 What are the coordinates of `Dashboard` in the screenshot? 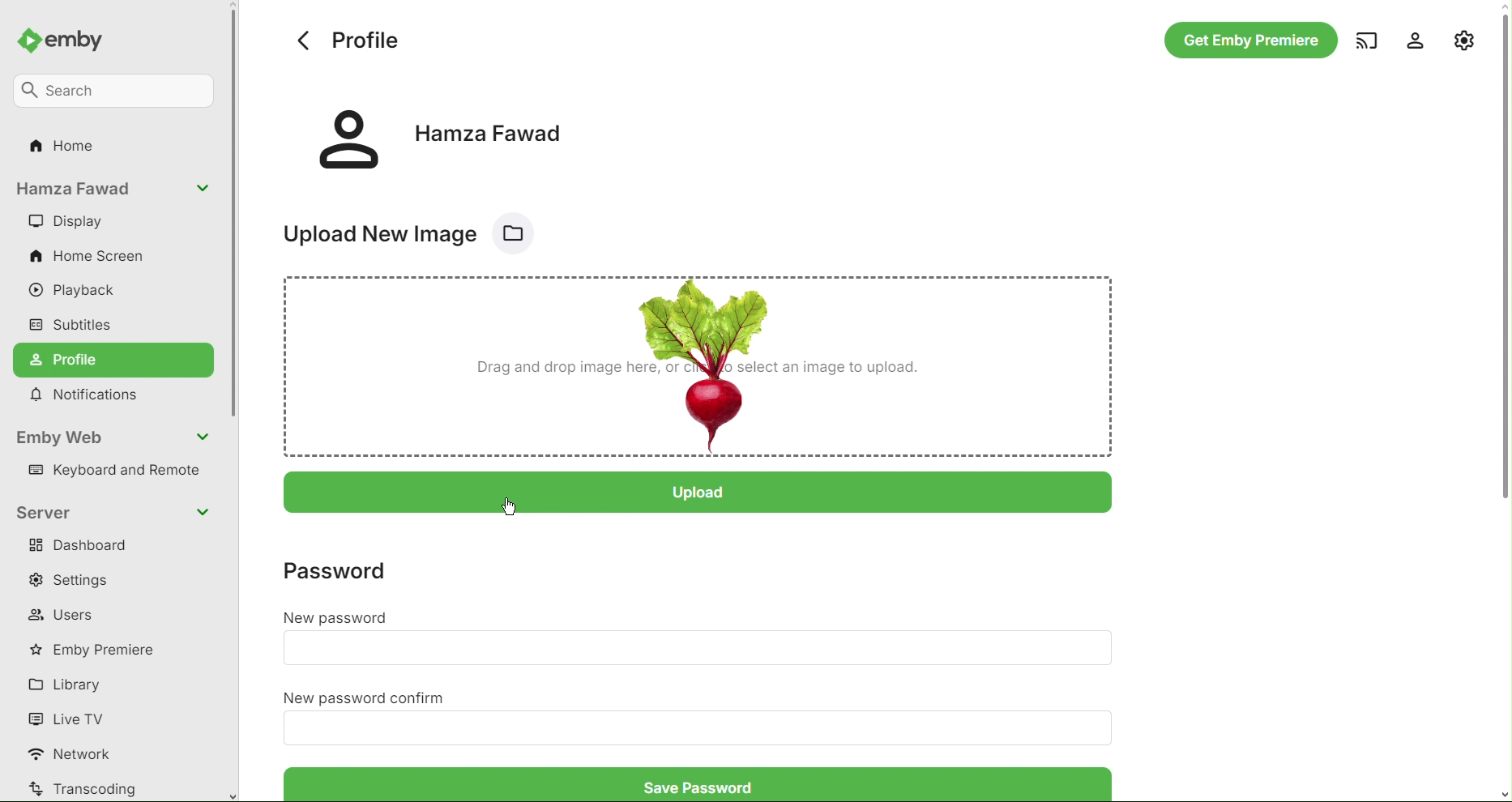 It's located at (83, 548).